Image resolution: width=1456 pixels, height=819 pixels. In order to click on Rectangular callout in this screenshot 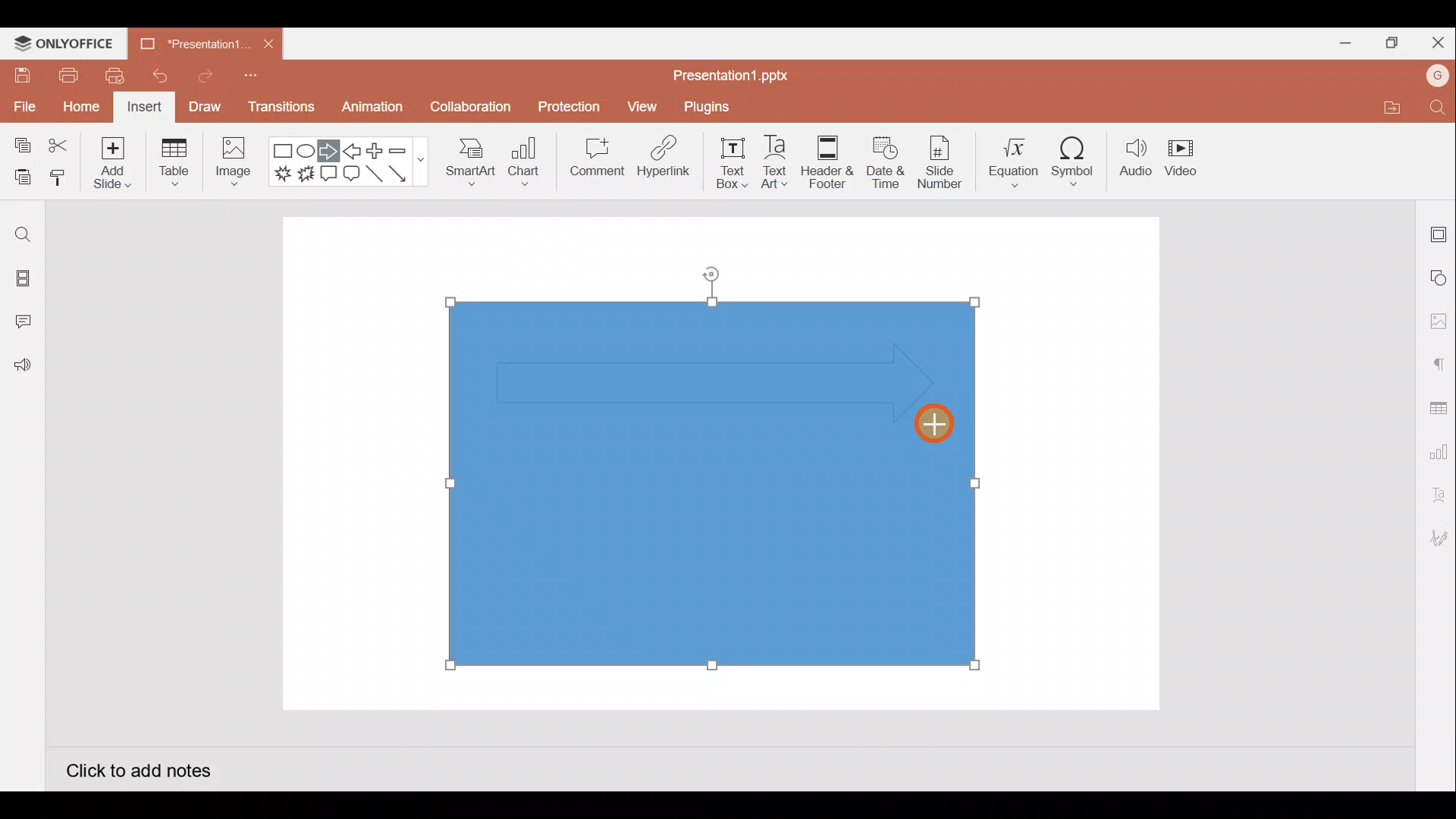, I will do `click(329, 174)`.